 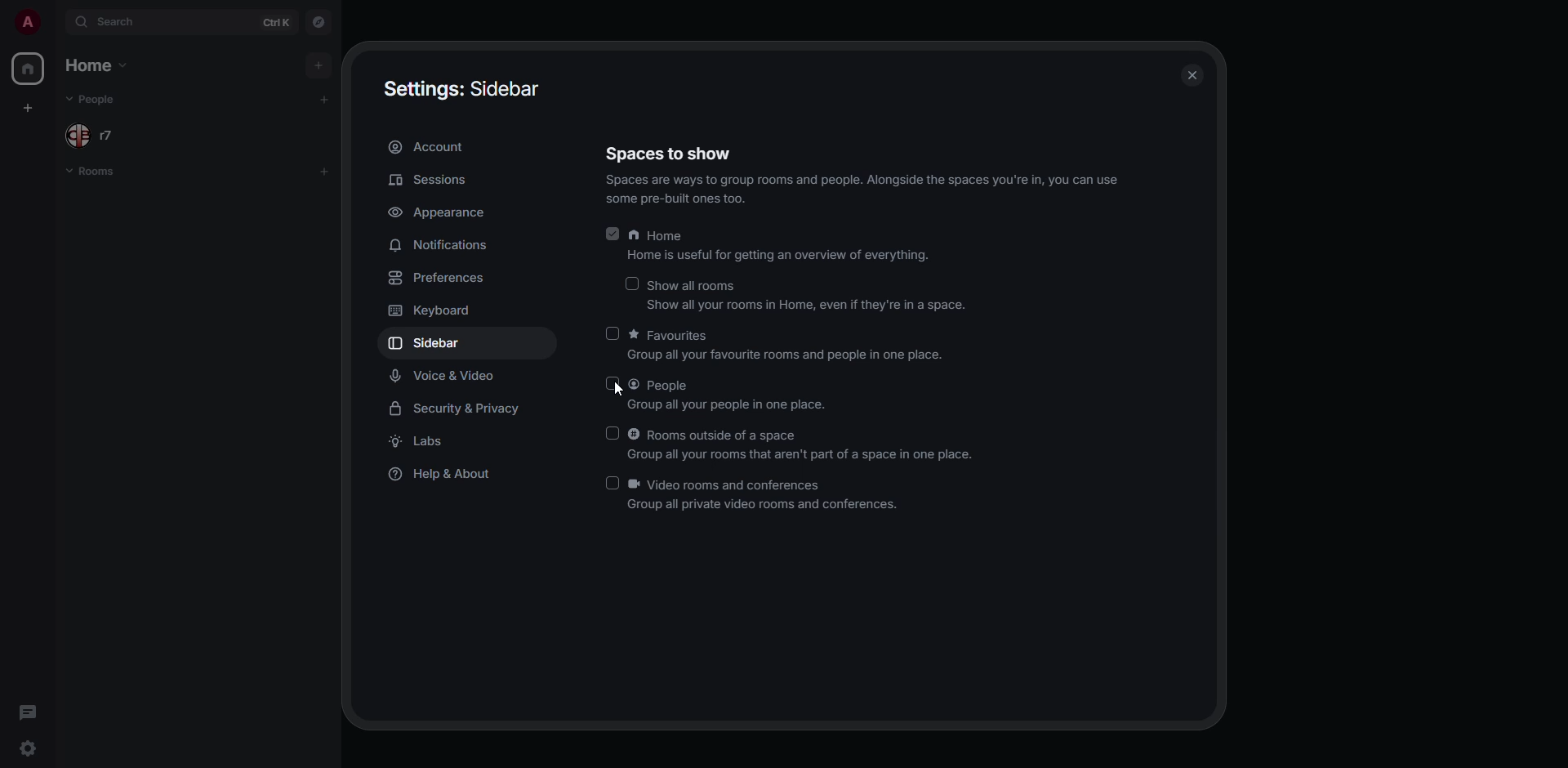 I want to click on click to enable, so click(x=614, y=382).